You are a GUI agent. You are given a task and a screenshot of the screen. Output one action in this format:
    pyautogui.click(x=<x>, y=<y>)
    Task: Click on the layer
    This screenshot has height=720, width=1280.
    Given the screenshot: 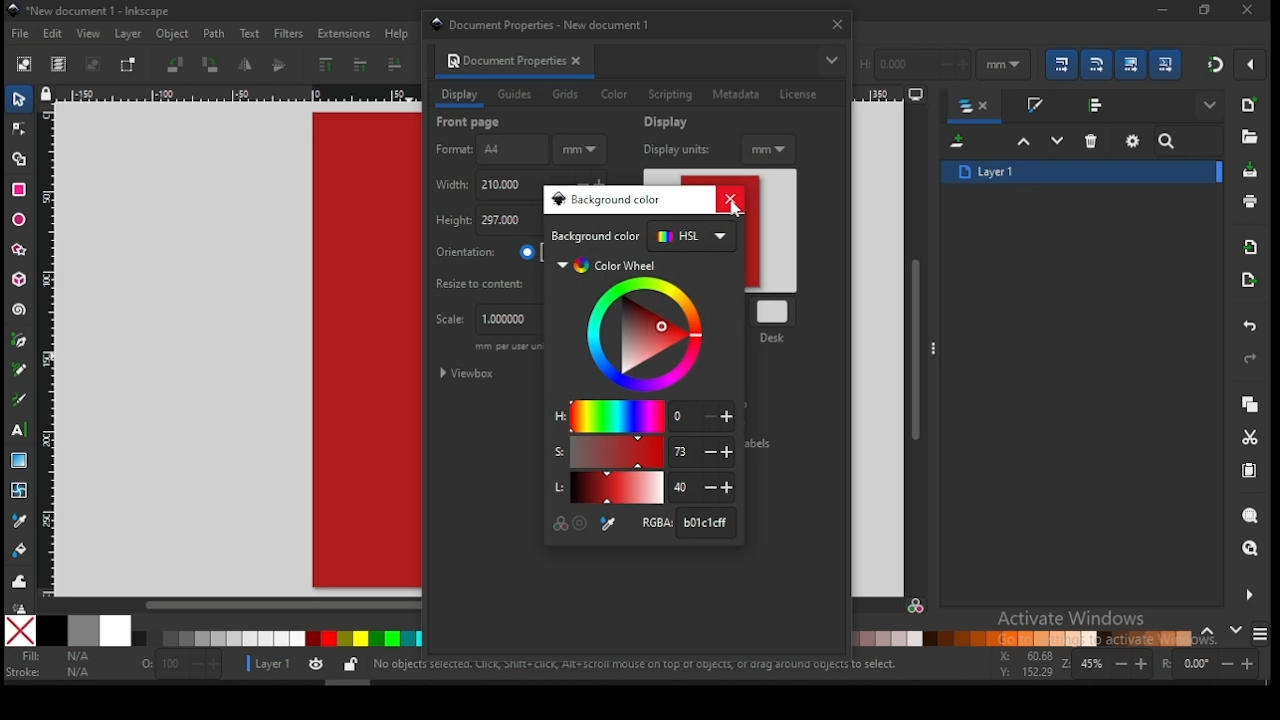 What is the action you would take?
    pyautogui.click(x=128, y=34)
    